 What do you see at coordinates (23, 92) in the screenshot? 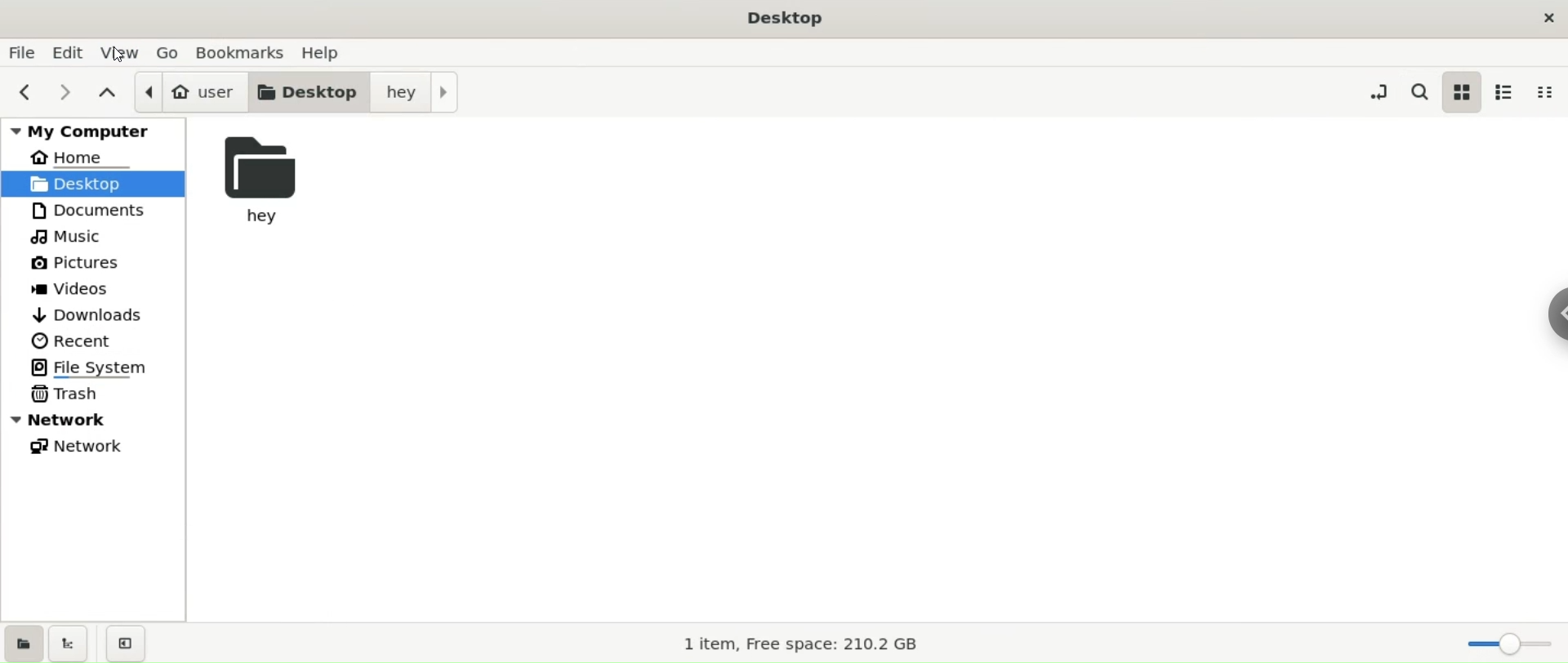
I see `previous` at bounding box center [23, 92].